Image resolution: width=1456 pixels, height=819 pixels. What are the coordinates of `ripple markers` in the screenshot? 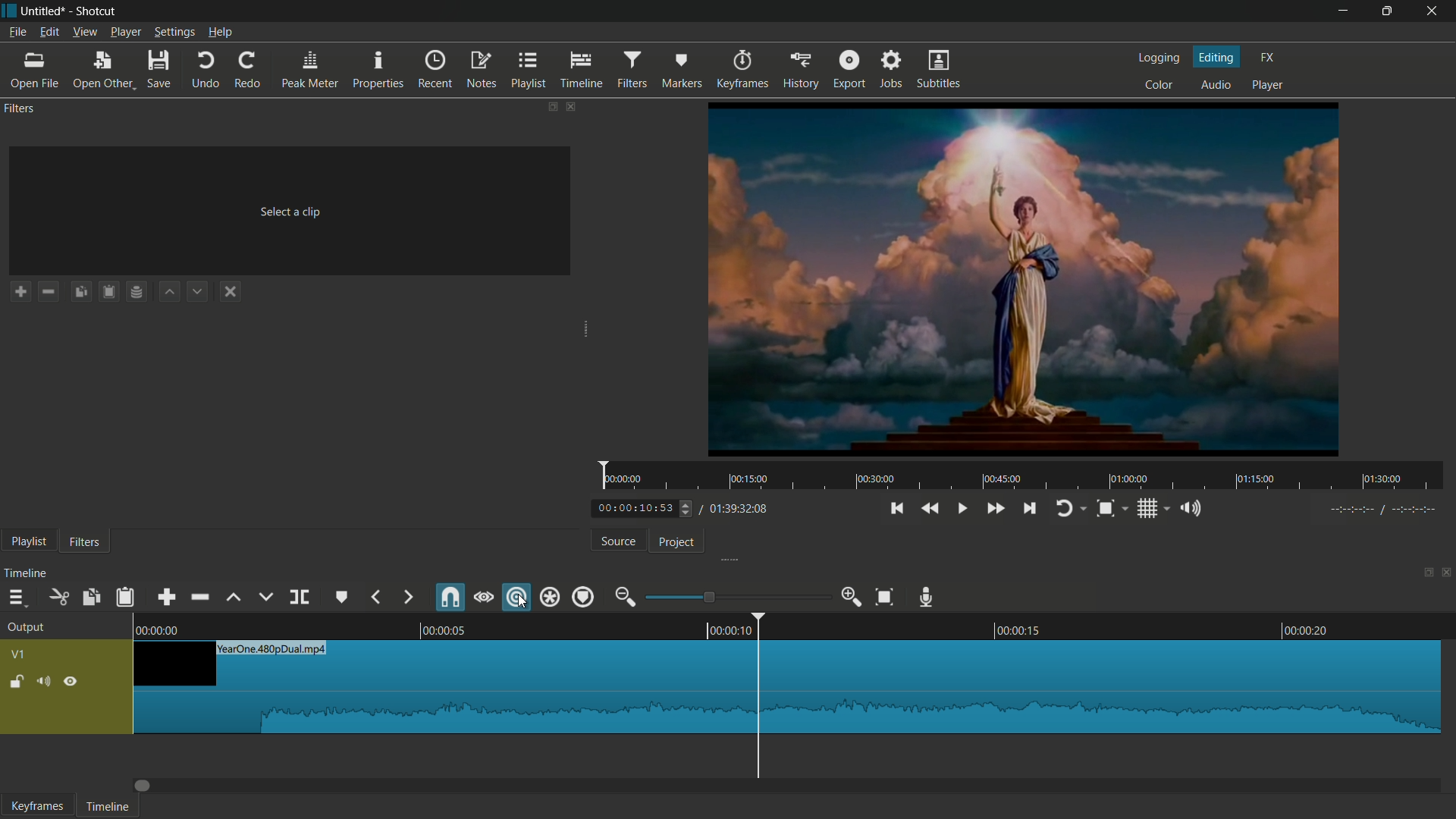 It's located at (584, 598).